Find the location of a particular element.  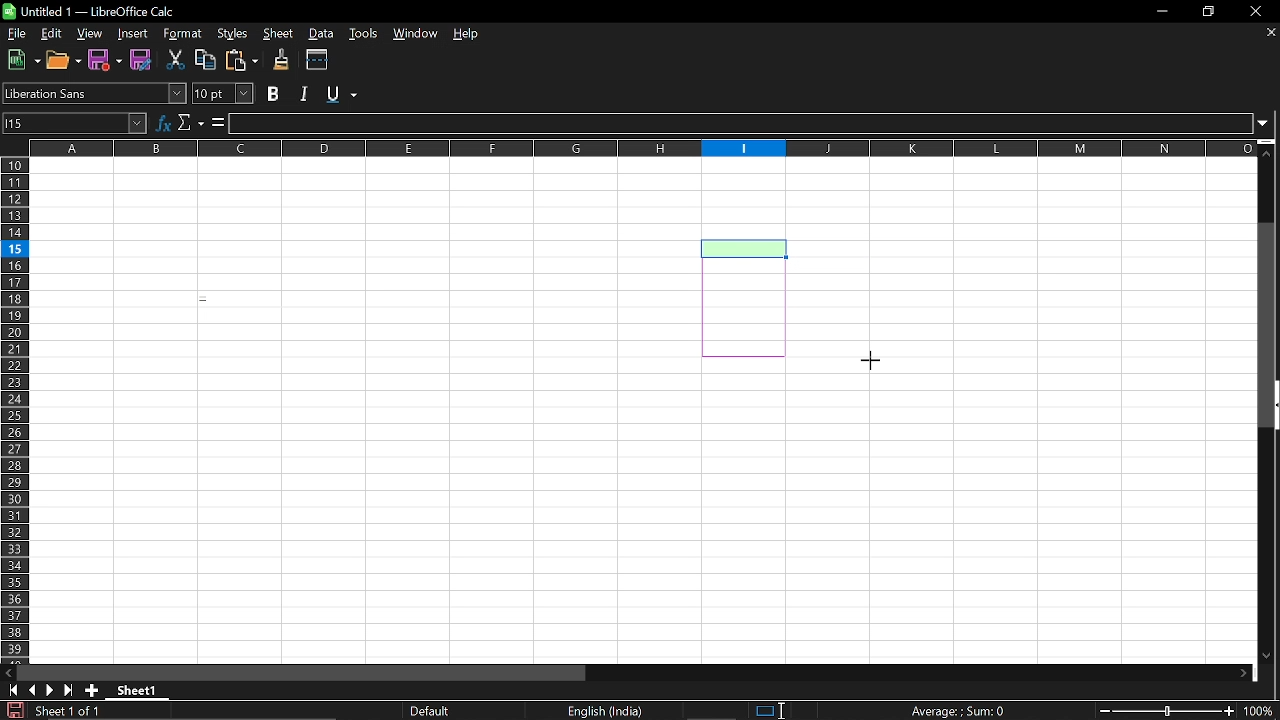

Columns is located at coordinates (642, 148).